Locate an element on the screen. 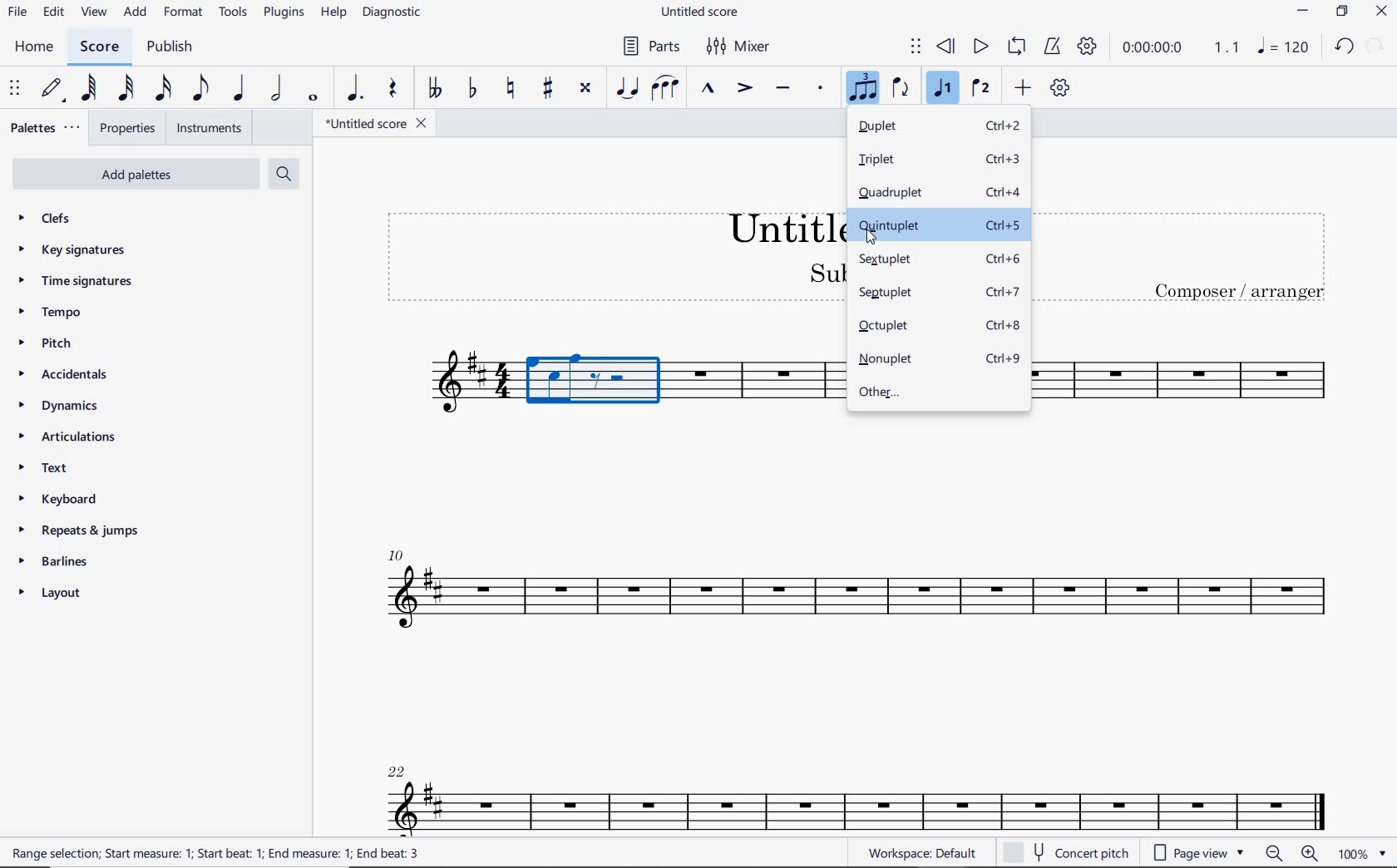 This screenshot has height=868, width=1397. WORKSPACE: DEFAULT is located at coordinates (926, 852).